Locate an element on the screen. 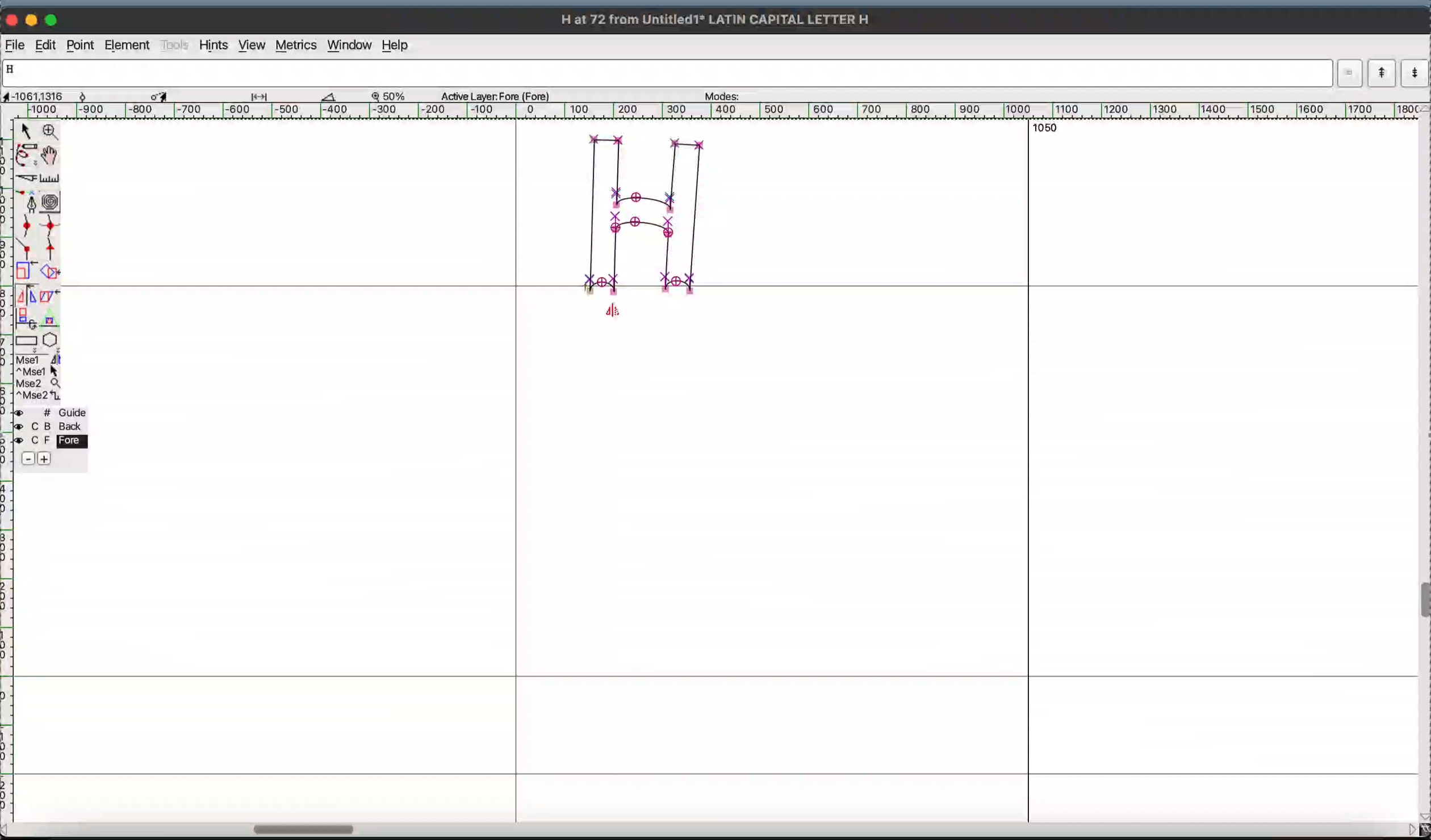 This screenshot has width=1431, height=840. spiro is located at coordinates (50, 199).